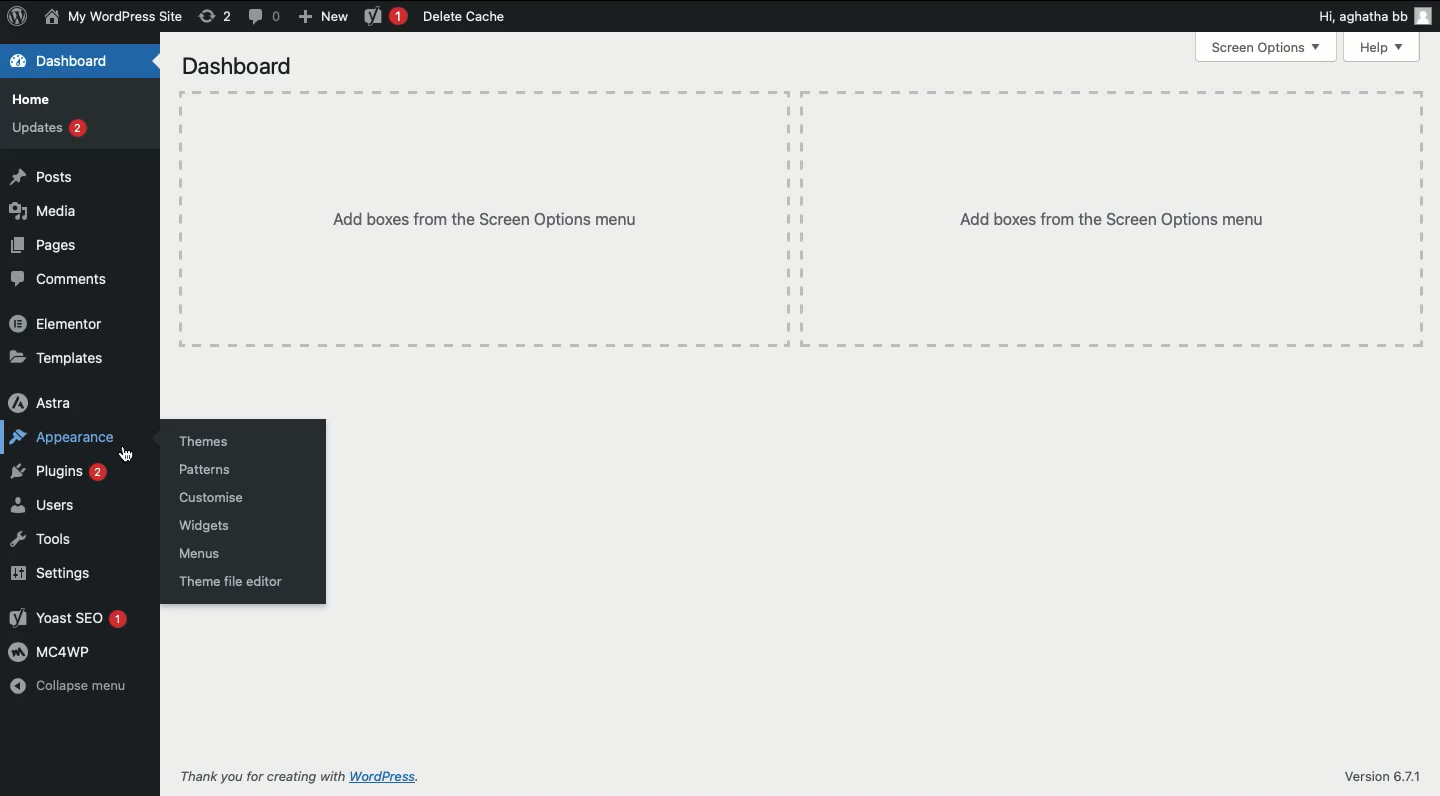 Image resolution: width=1440 pixels, height=796 pixels. What do you see at coordinates (217, 469) in the screenshot?
I see `Patterns` at bounding box center [217, 469].